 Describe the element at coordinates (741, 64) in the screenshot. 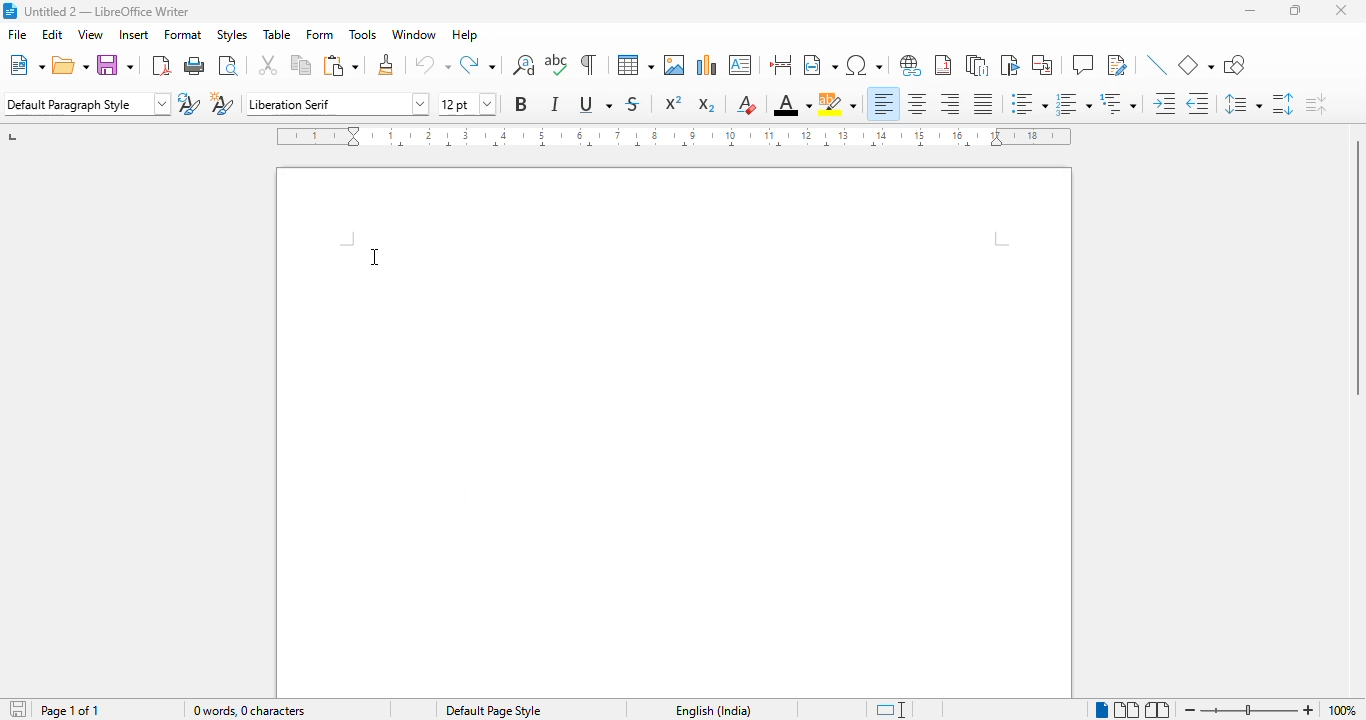

I see `insert text box` at that location.